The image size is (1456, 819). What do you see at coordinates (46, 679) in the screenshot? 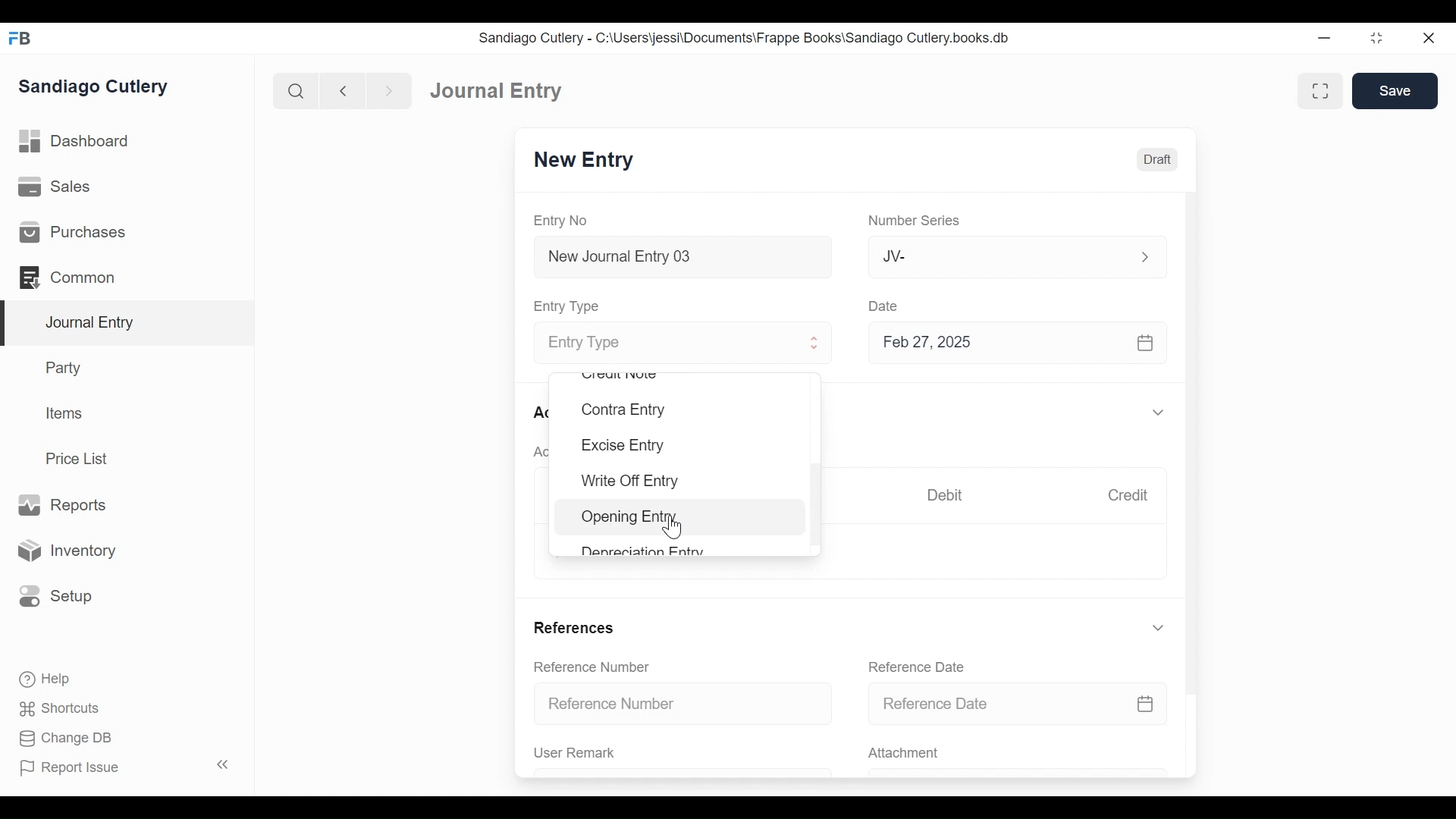
I see `Help` at bounding box center [46, 679].